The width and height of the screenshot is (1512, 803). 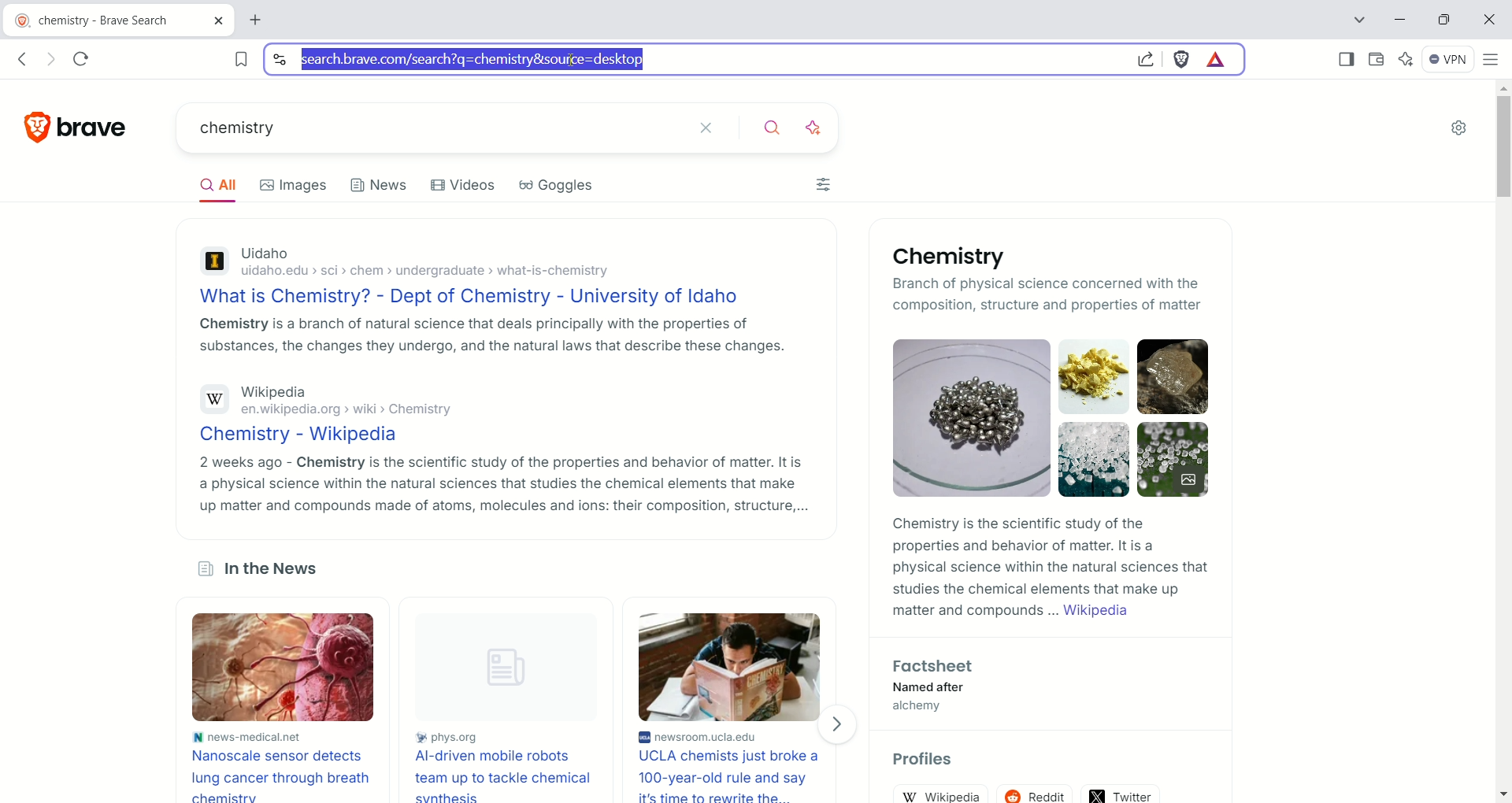 I want to click on reddit, so click(x=1036, y=794).